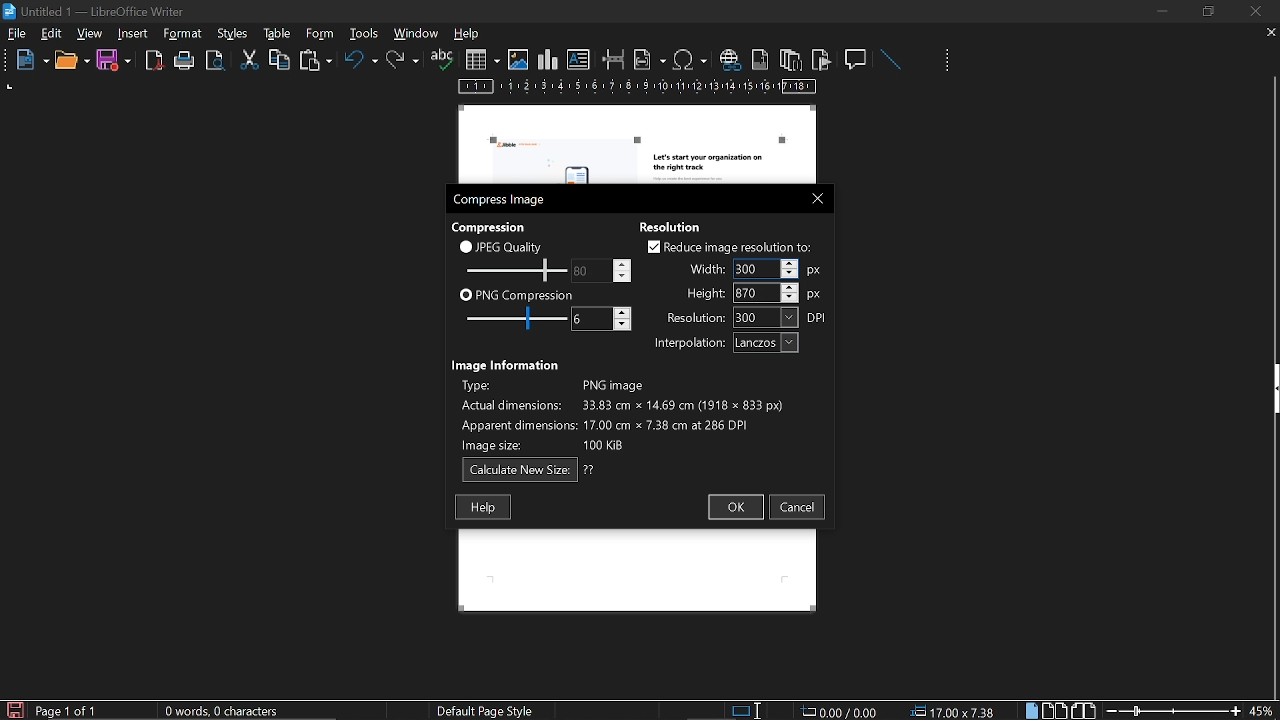 The width and height of the screenshot is (1280, 720). I want to click on standard selection, so click(748, 710).